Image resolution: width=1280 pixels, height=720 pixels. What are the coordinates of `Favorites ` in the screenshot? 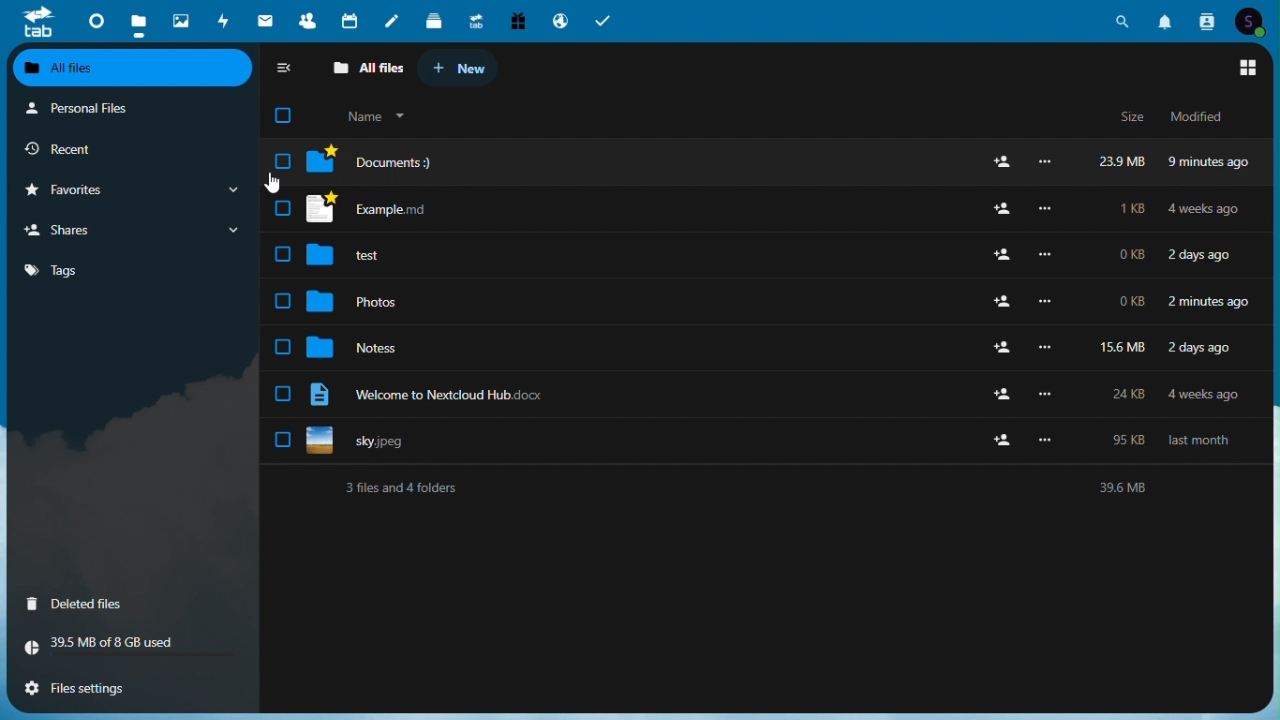 It's located at (124, 189).